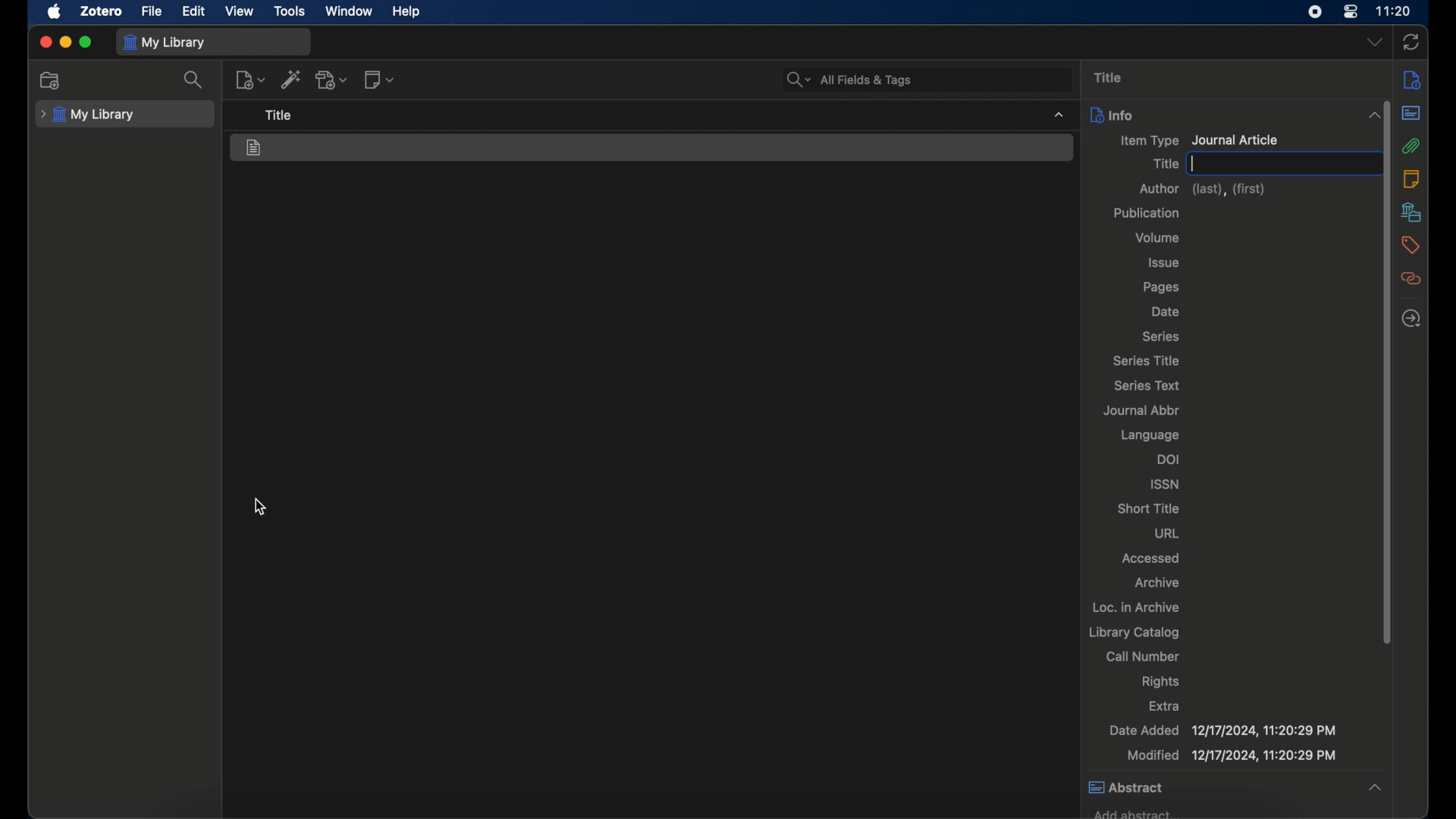 The width and height of the screenshot is (1456, 819). I want to click on info, so click(1409, 79).